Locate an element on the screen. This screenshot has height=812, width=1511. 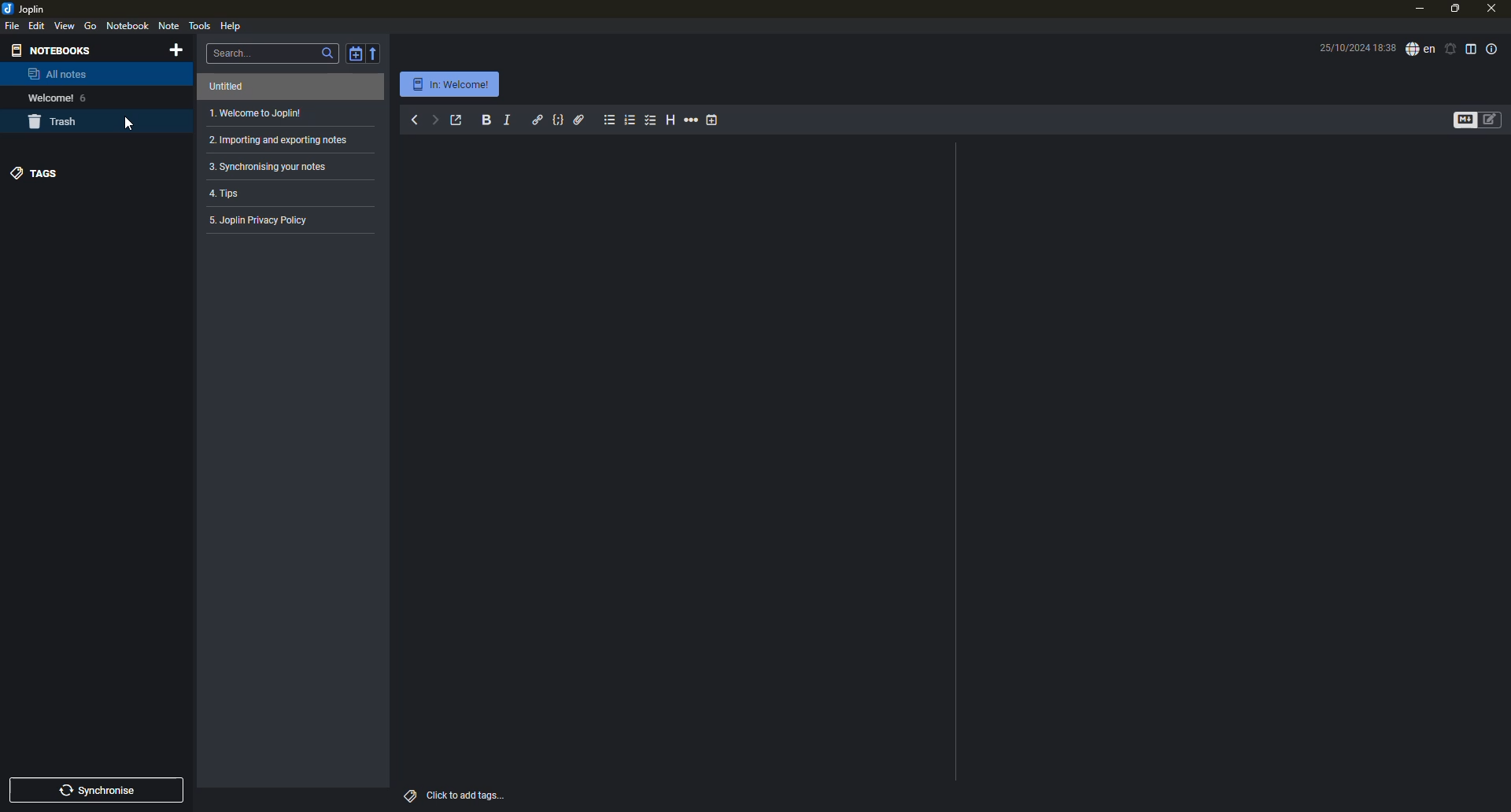
forward is located at coordinates (435, 120).